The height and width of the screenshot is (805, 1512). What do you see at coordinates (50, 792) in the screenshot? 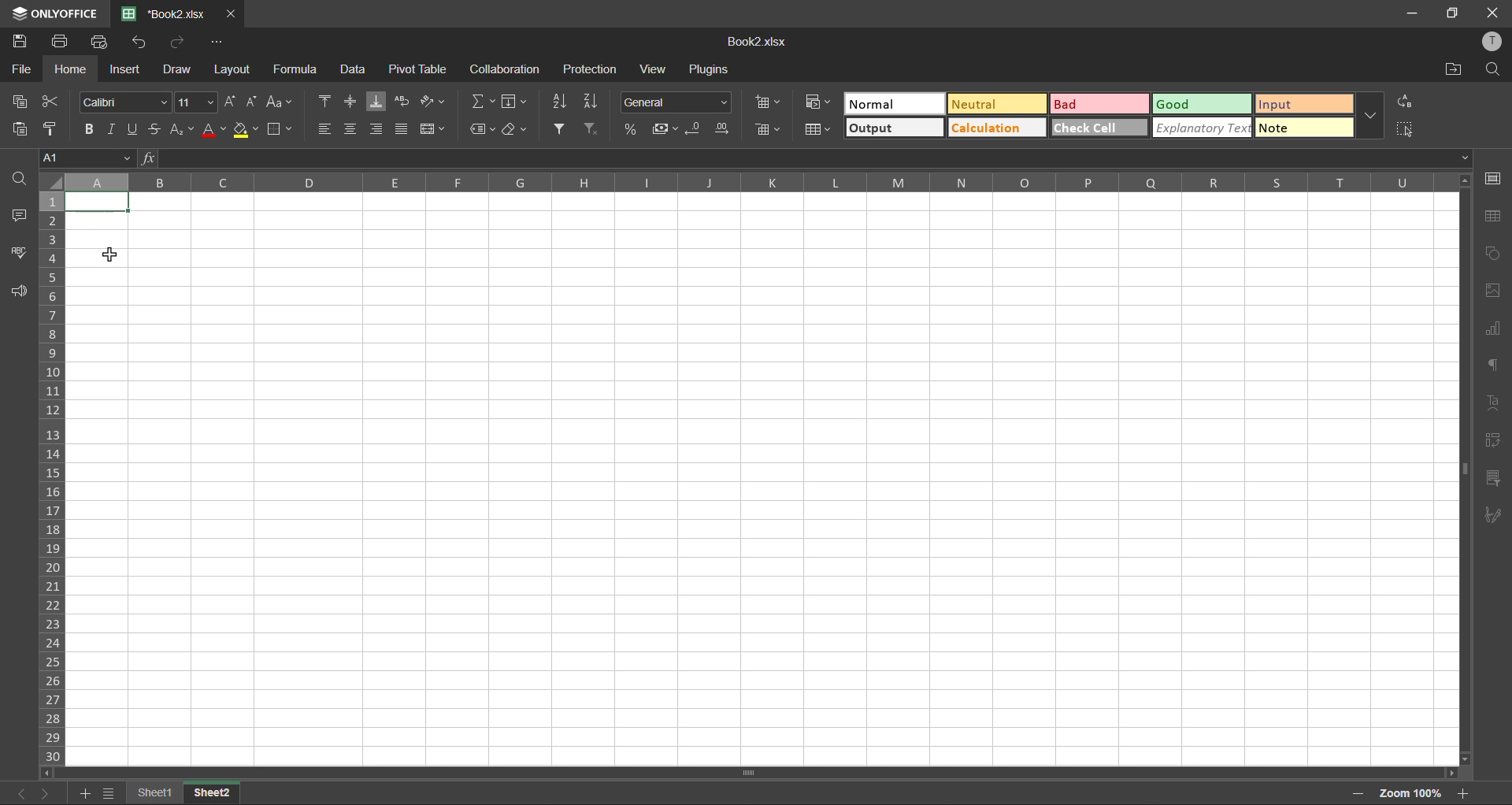
I see `next` at bounding box center [50, 792].